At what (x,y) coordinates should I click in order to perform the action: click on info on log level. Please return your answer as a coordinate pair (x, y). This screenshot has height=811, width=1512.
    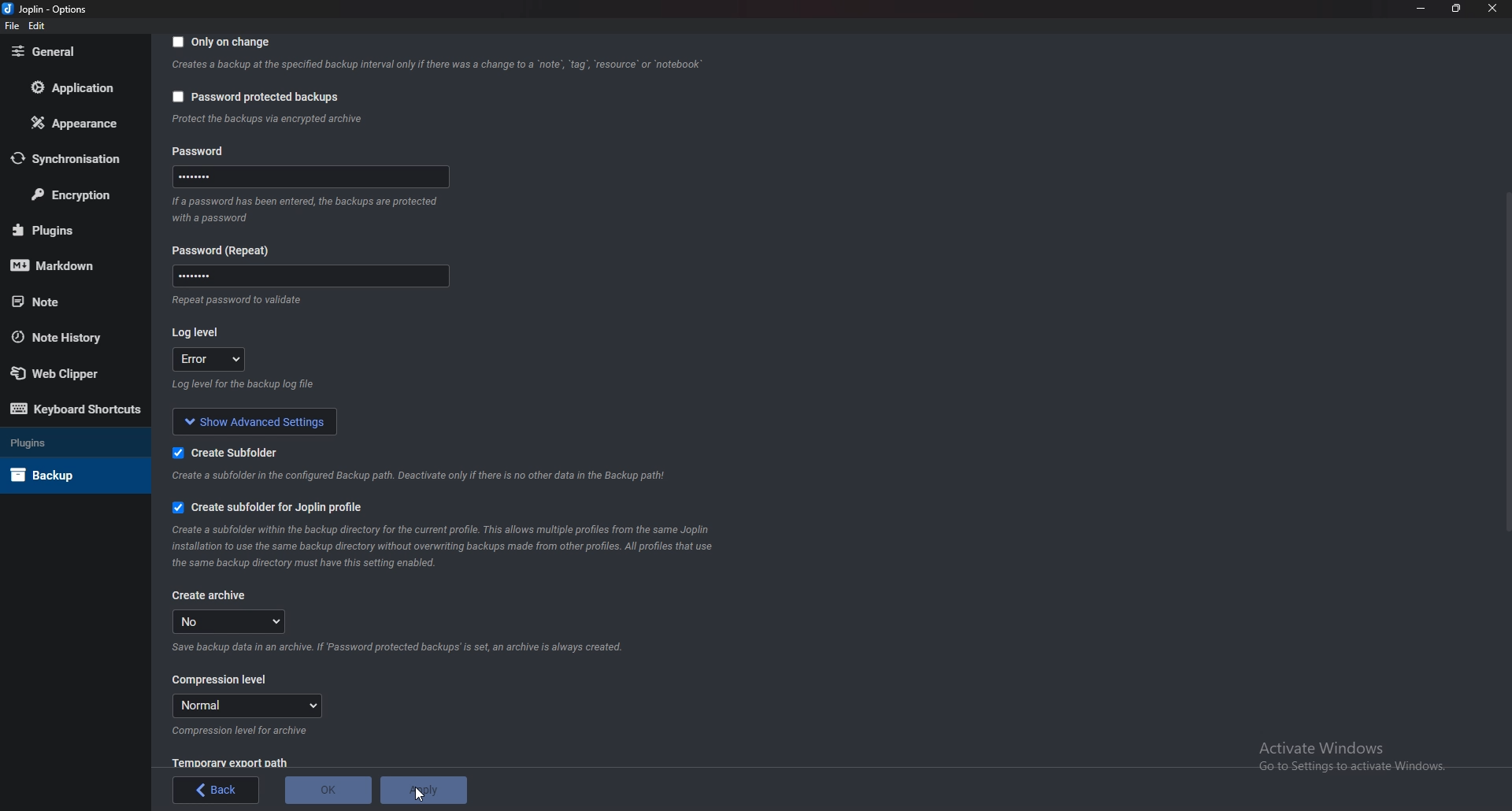
    Looking at the image, I should click on (245, 385).